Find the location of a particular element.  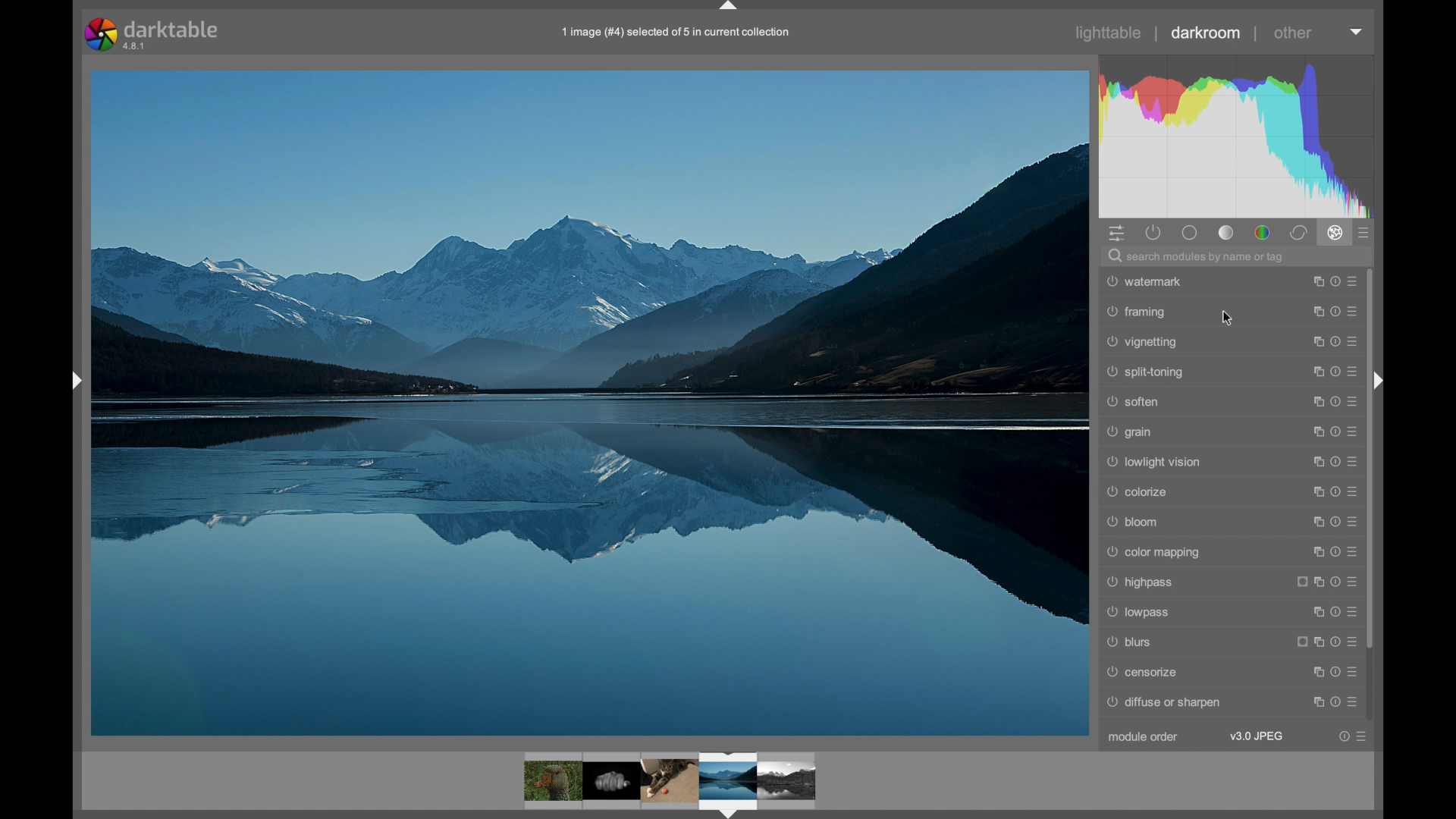

v3.0 jpeg is located at coordinates (1257, 736).